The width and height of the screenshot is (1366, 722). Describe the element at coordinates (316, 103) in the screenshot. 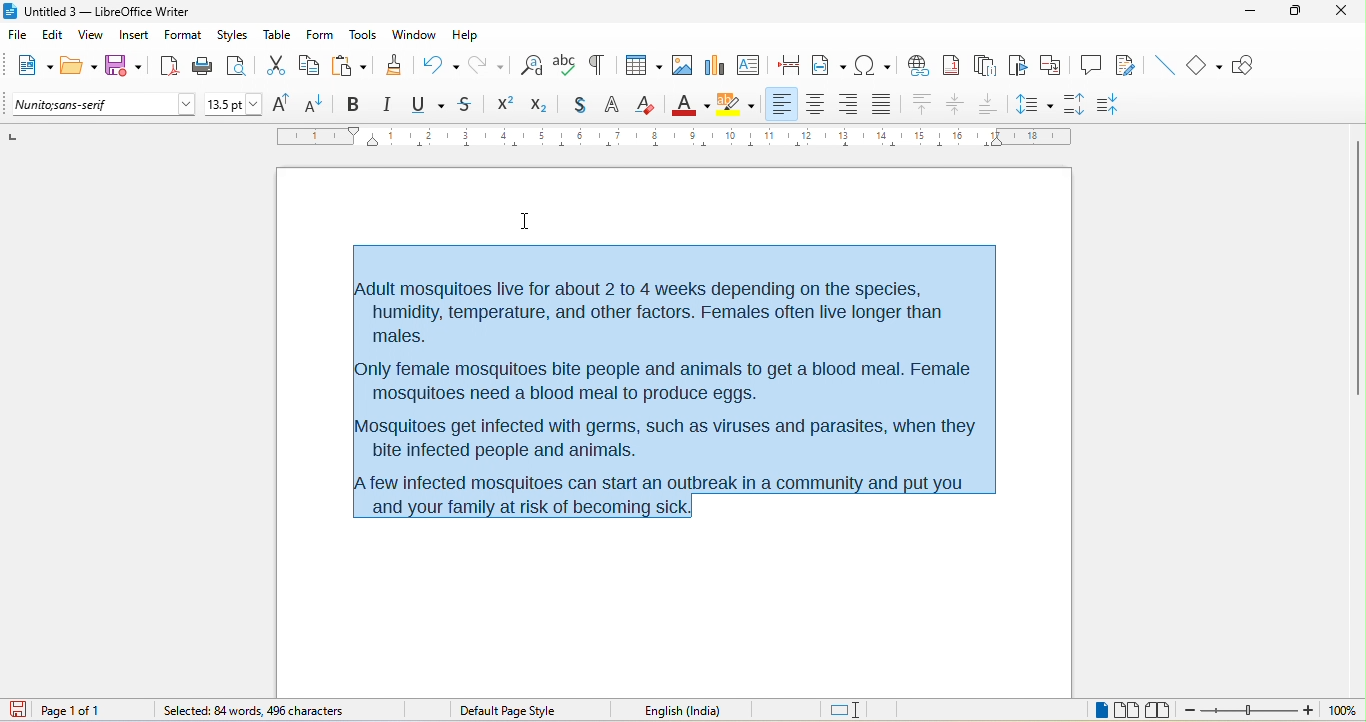

I see `decrease size` at that location.